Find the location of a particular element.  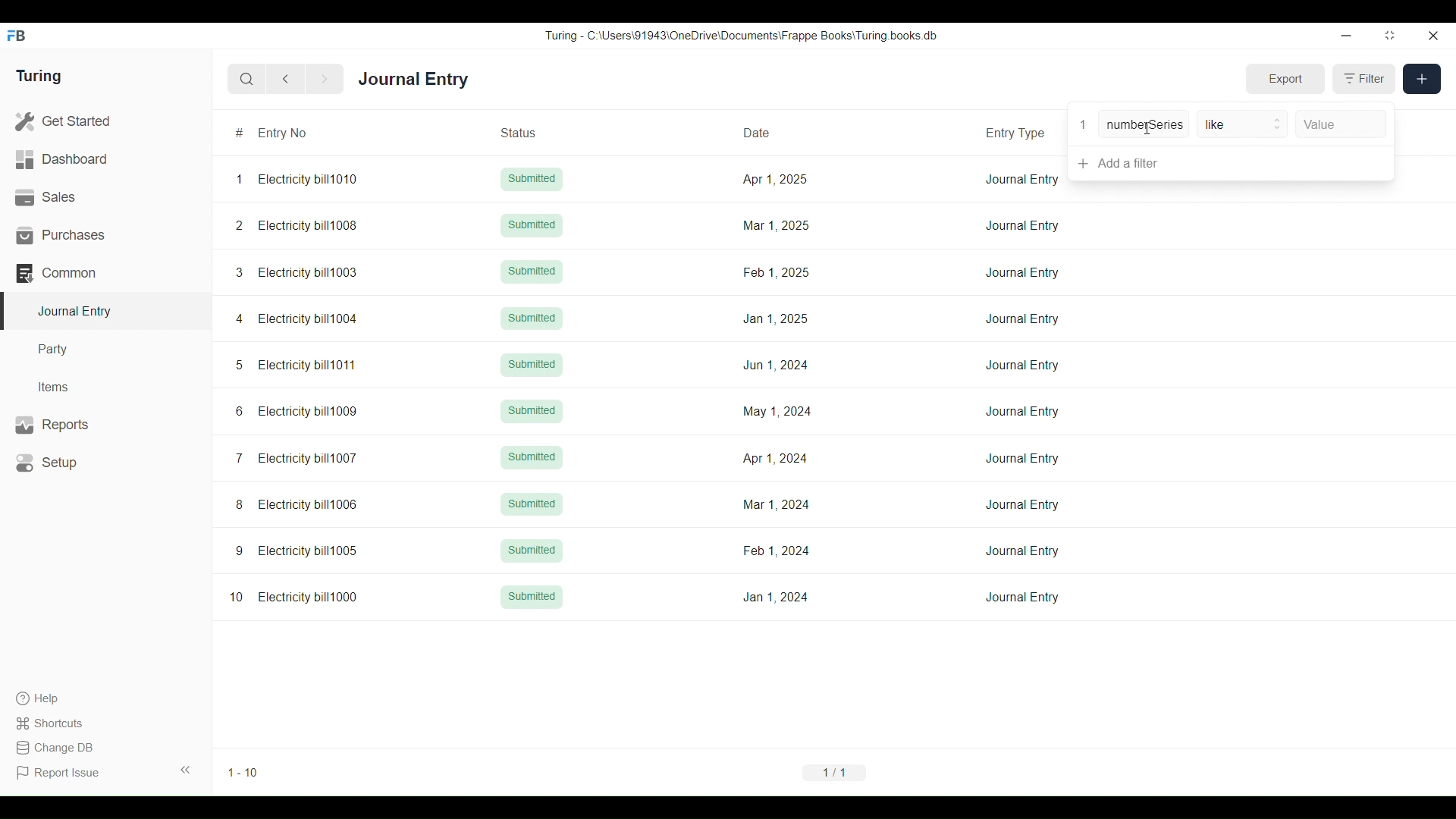

Shortcuts is located at coordinates (58, 723).